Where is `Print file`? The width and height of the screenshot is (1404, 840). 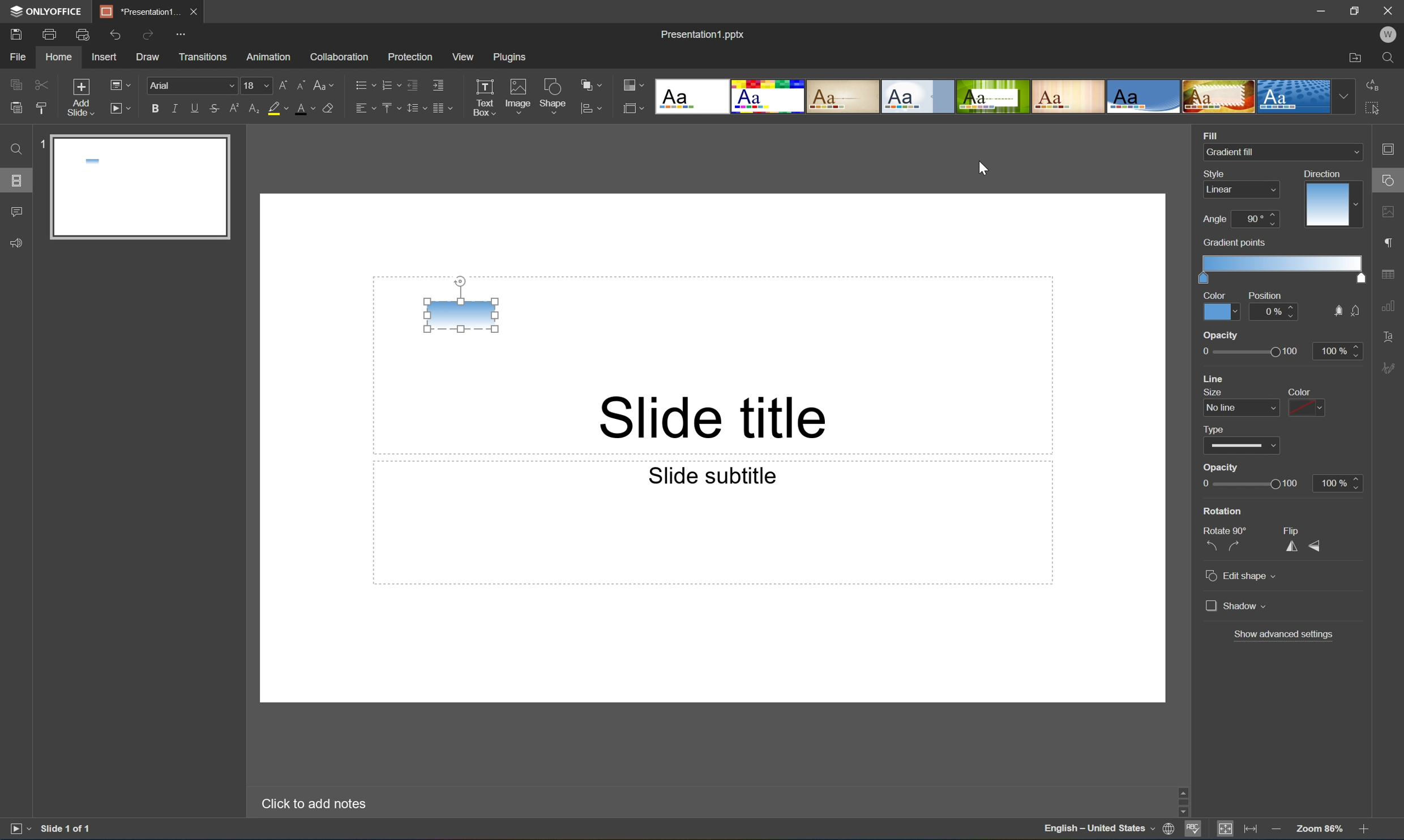 Print file is located at coordinates (50, 35).